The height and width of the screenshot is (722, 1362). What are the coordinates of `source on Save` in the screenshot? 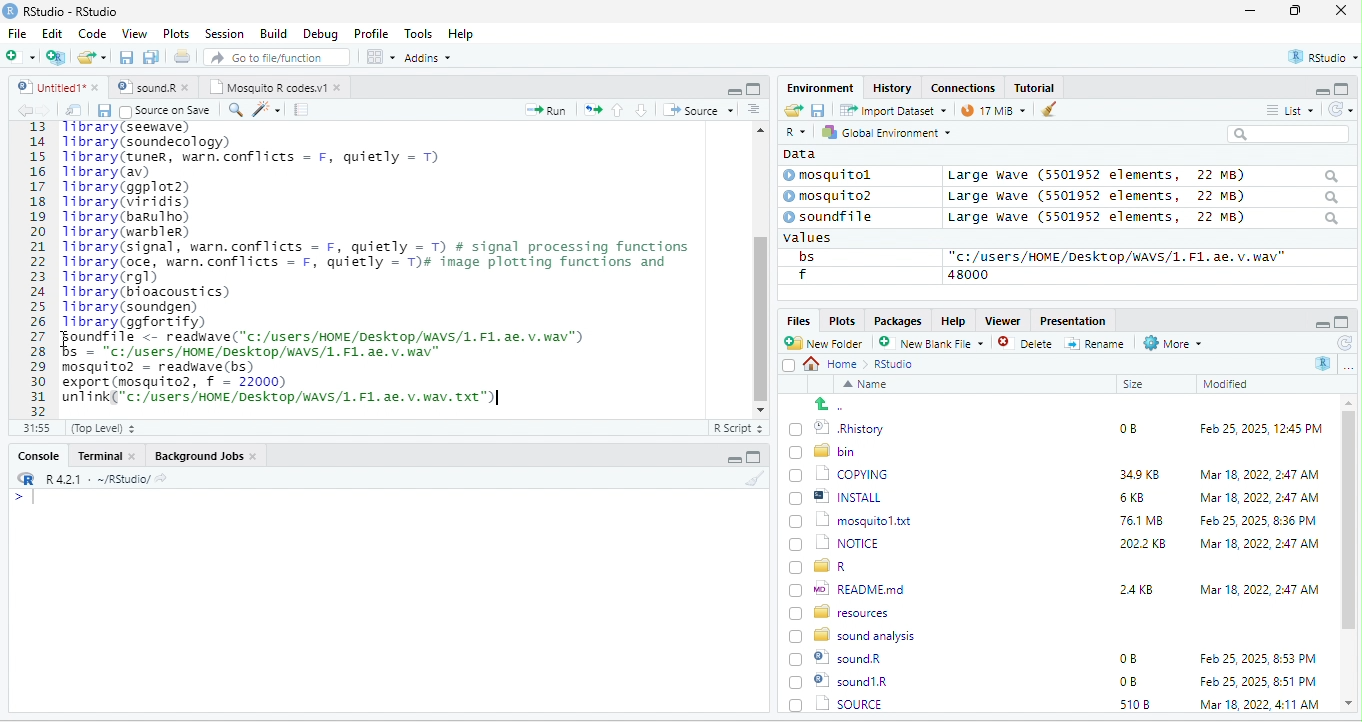 It's located at (167, 112).